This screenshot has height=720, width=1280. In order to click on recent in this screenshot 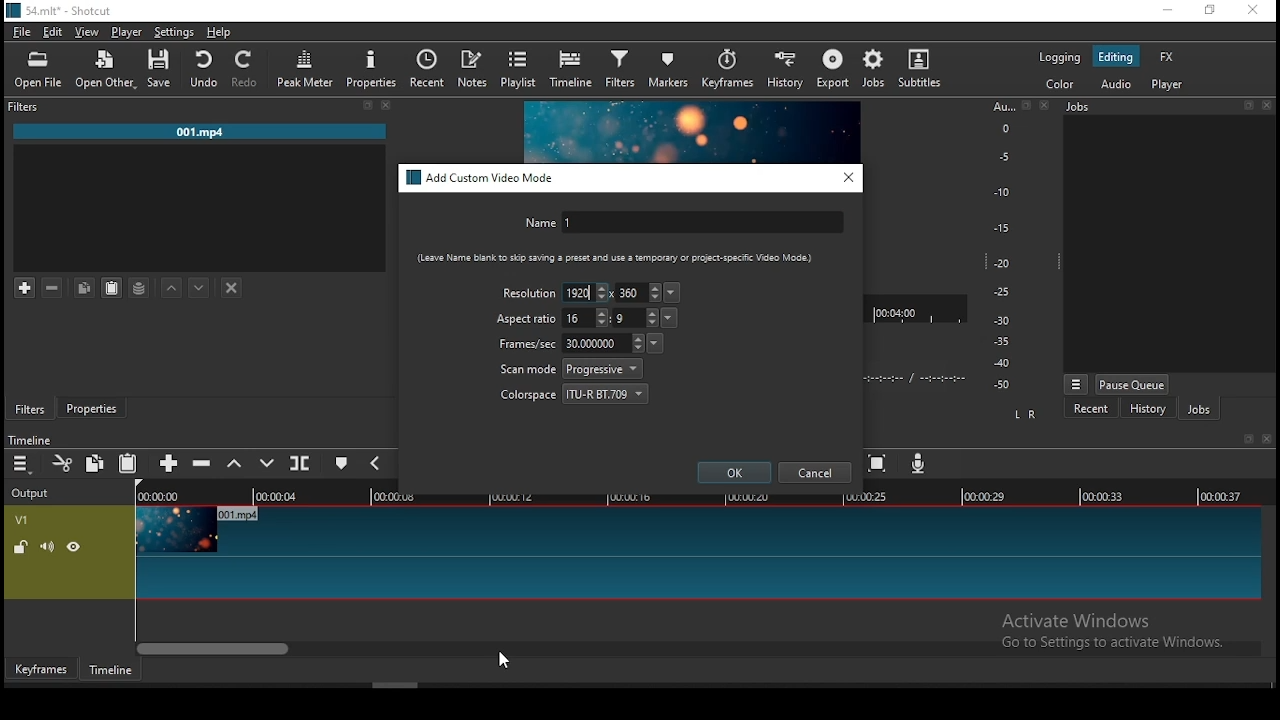, I will do `click(427, 66)`.